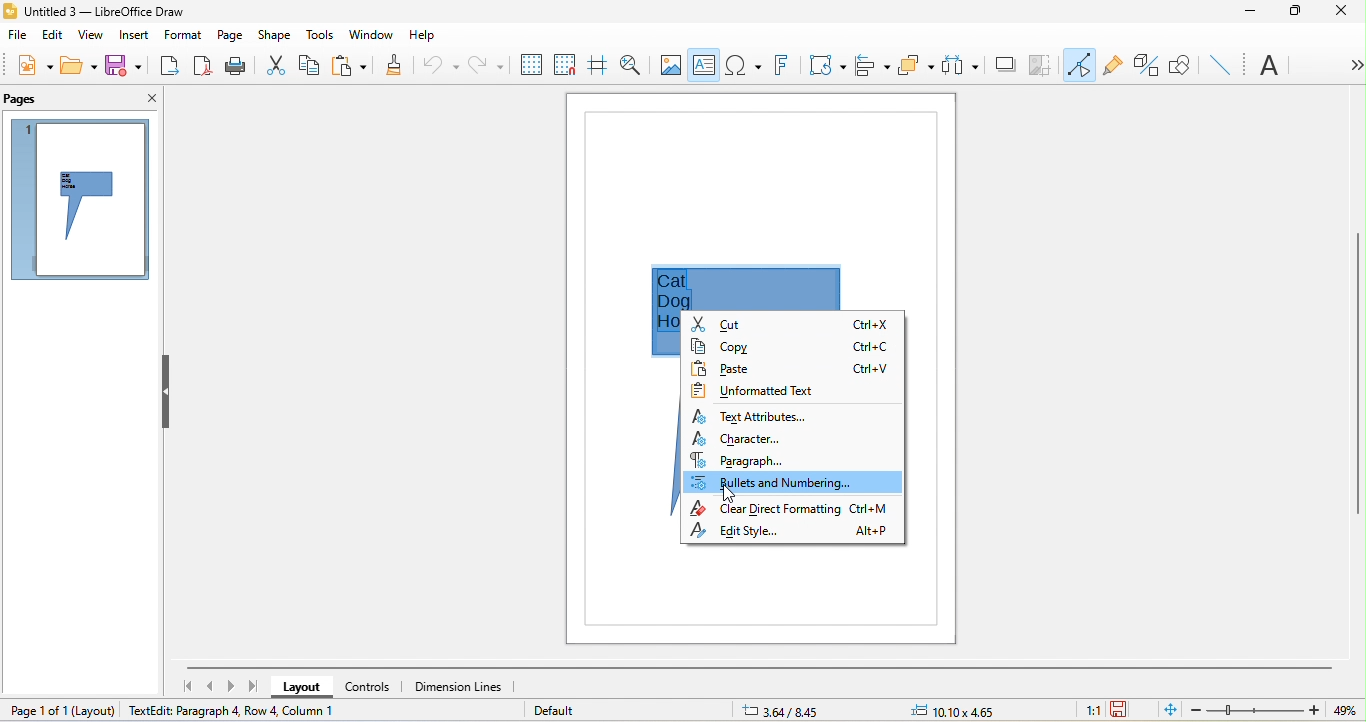 The width and height of the screenshot is (1366, 722). I want to click on hide, so click(163, 392).